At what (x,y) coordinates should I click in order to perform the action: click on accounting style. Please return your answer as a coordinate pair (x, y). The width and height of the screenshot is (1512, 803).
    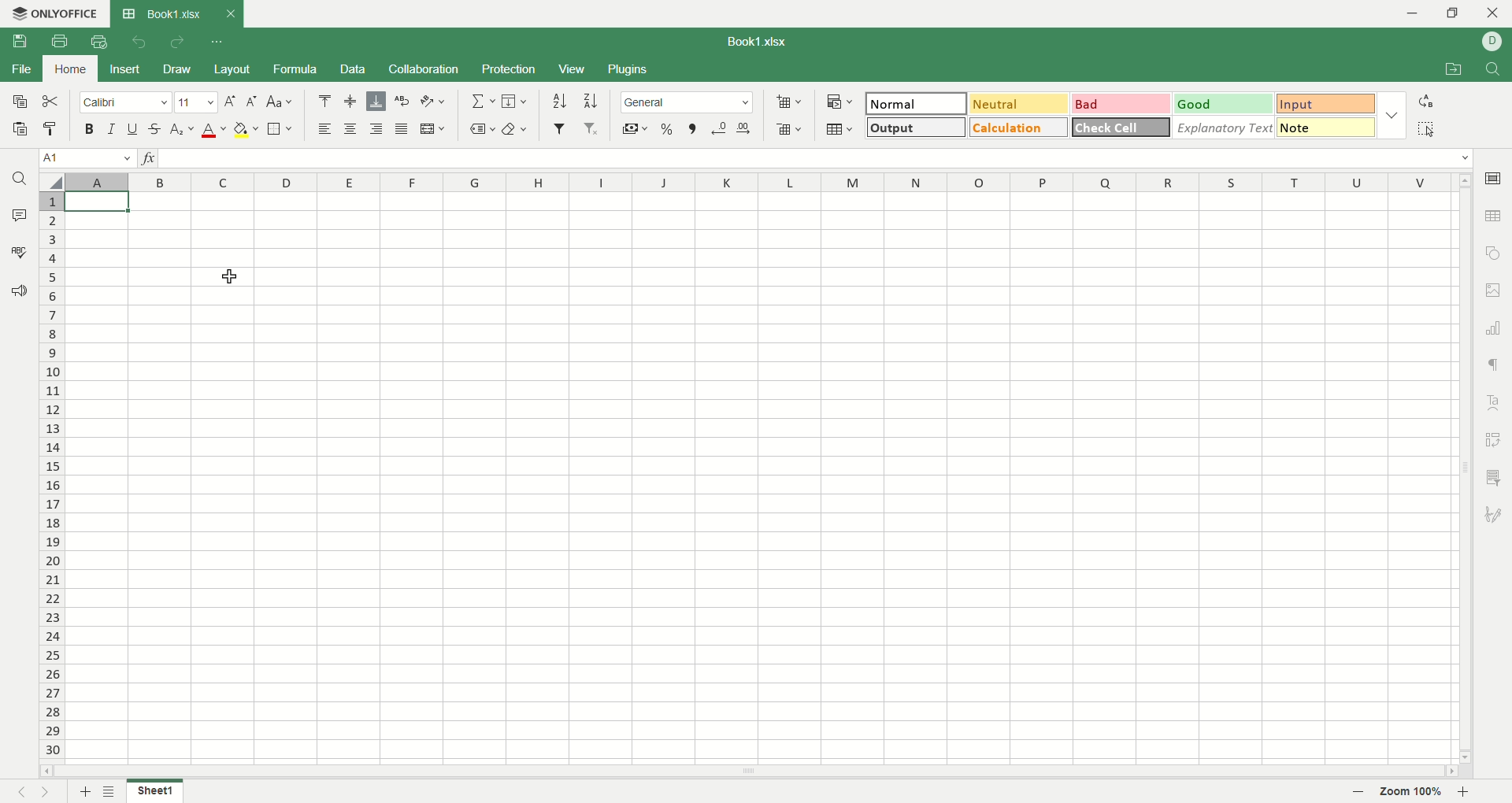
    Looking at the image, I should click on (635, 128).